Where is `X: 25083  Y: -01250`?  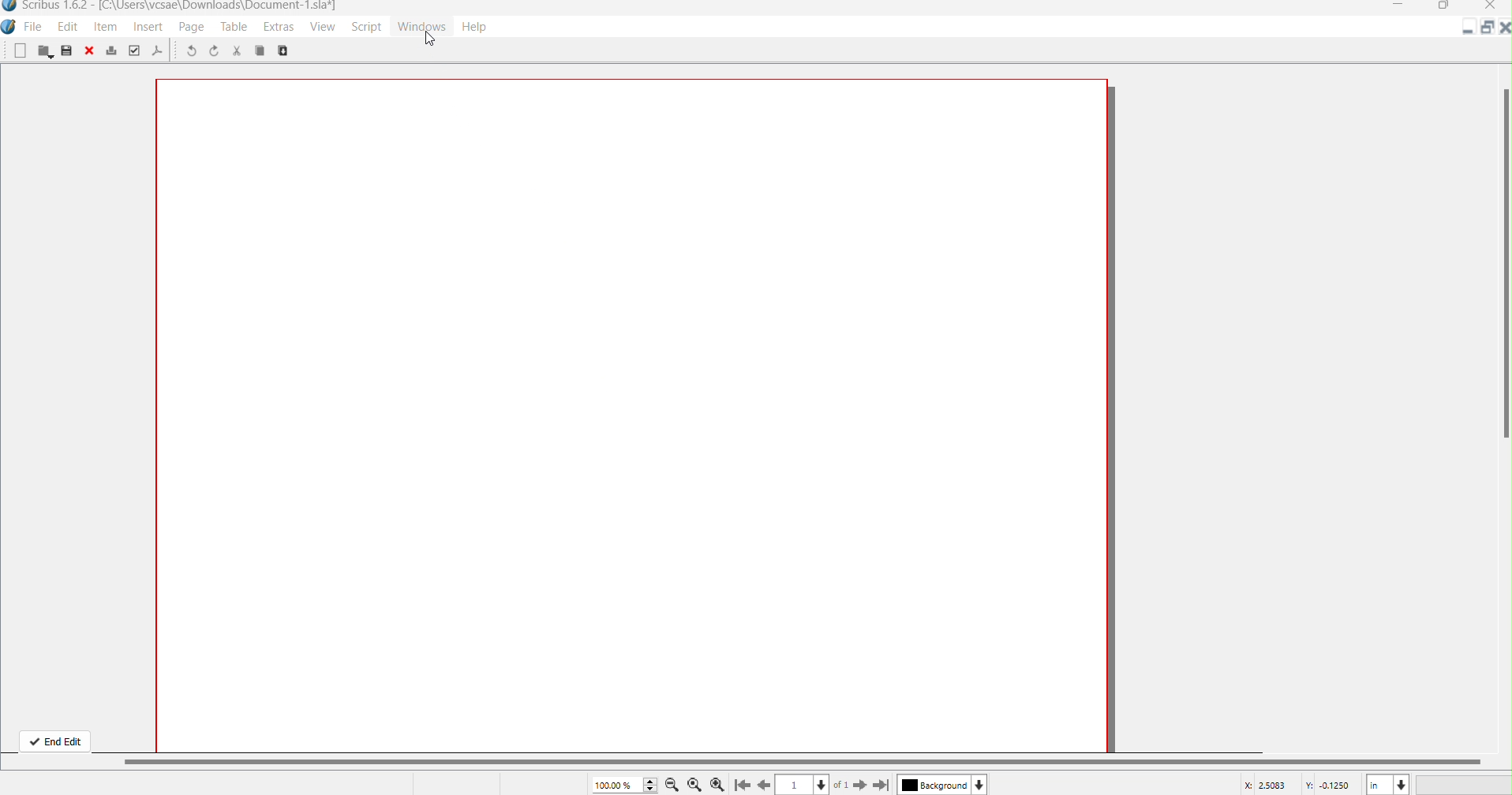
X: 25083  Y: -01250 is located at coordinates (1297, 784).